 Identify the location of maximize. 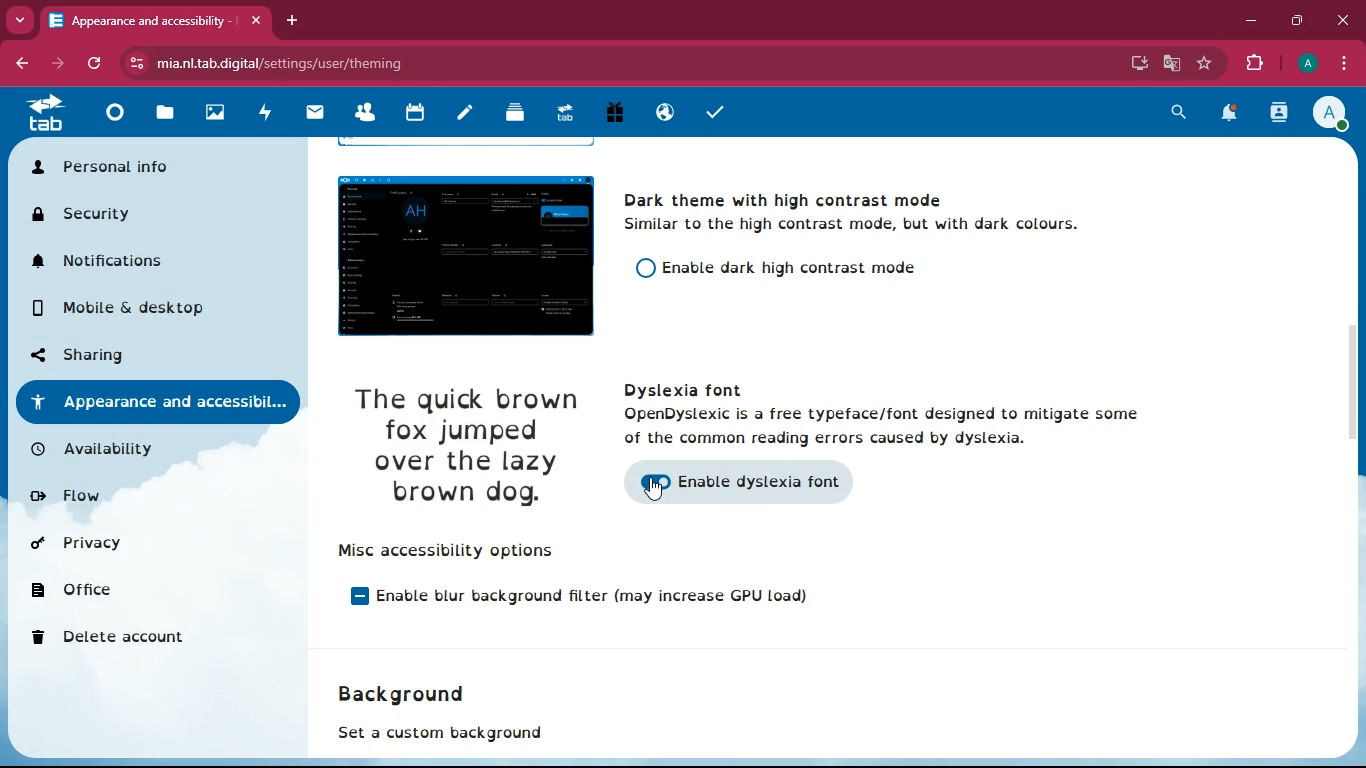
(1299, 17).